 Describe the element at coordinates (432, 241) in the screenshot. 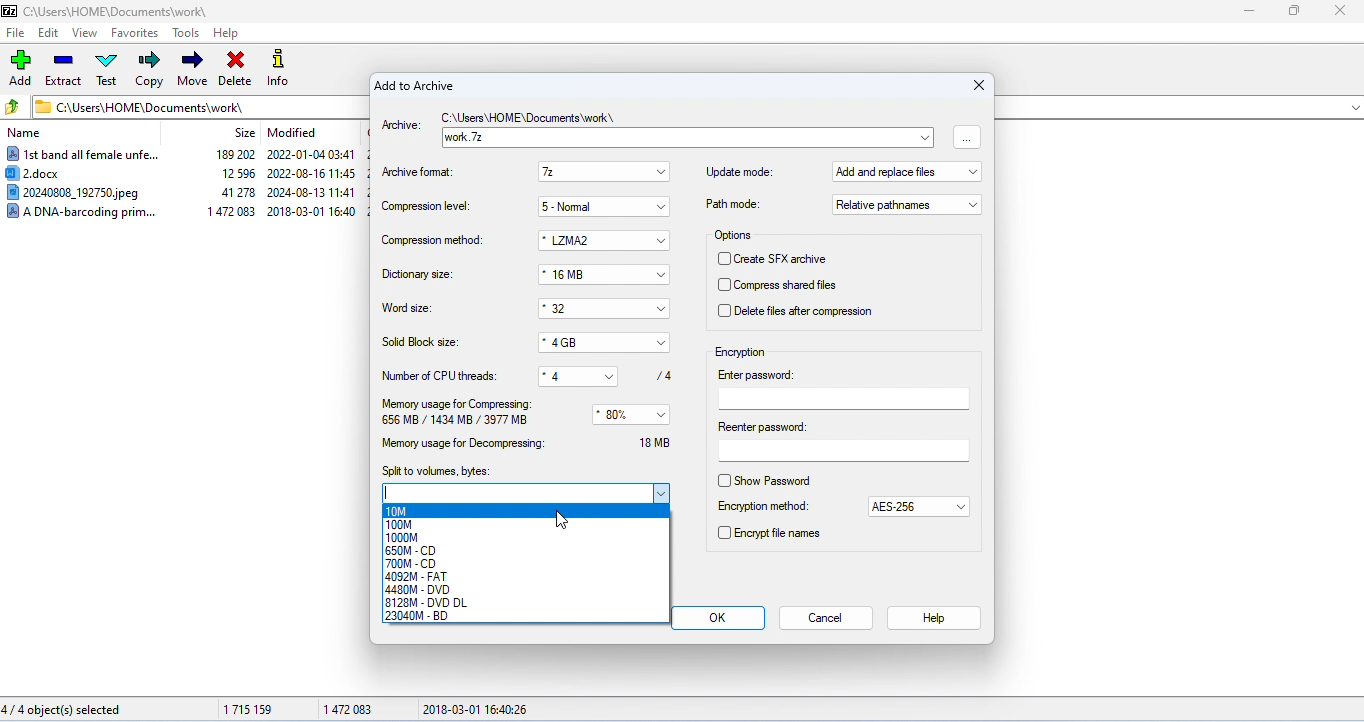

I see `compression method` at that location.